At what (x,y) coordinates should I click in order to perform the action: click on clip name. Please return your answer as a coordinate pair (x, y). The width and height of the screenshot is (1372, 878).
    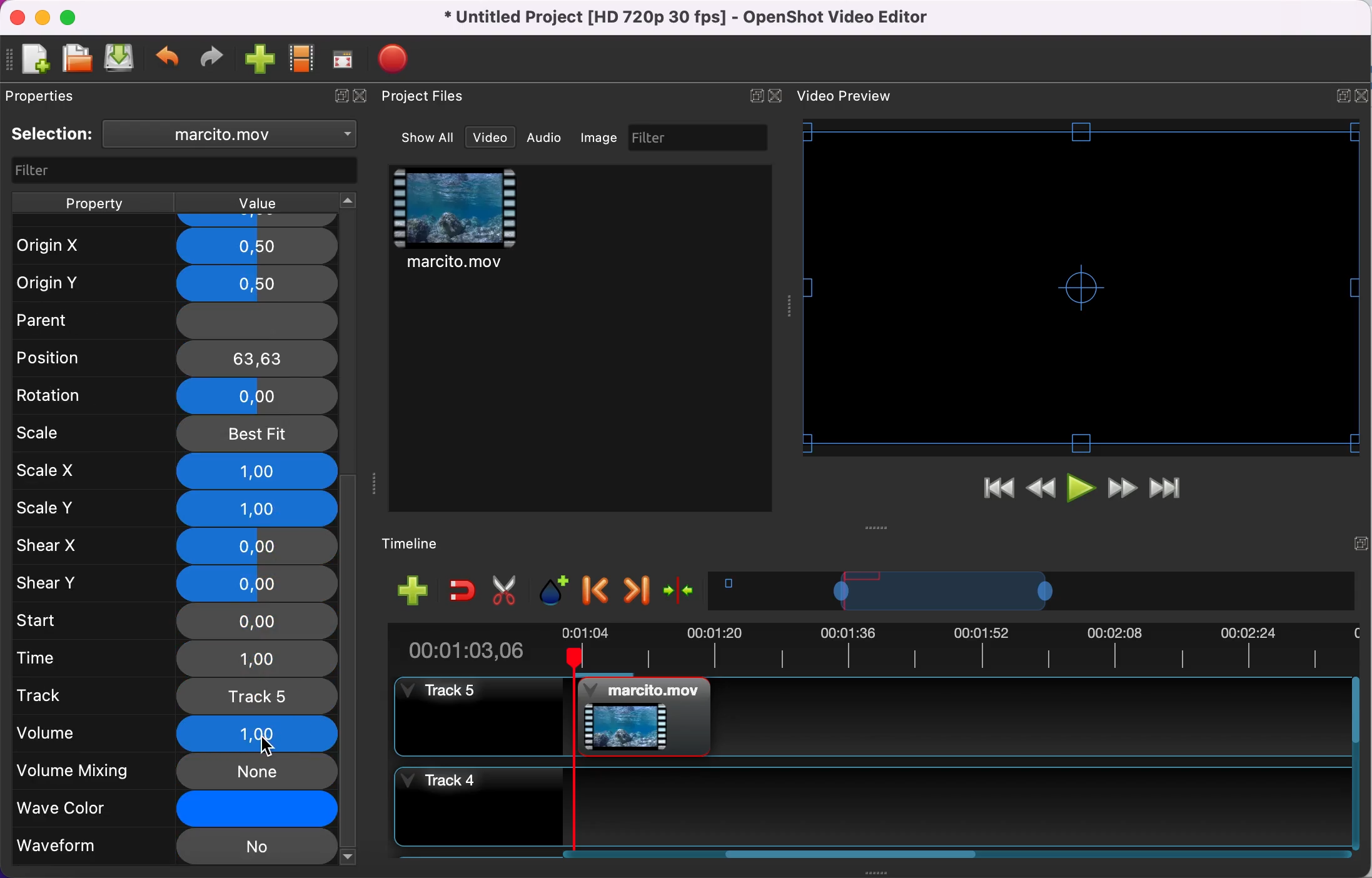
    Looking at the image, I should click on (236, 133).